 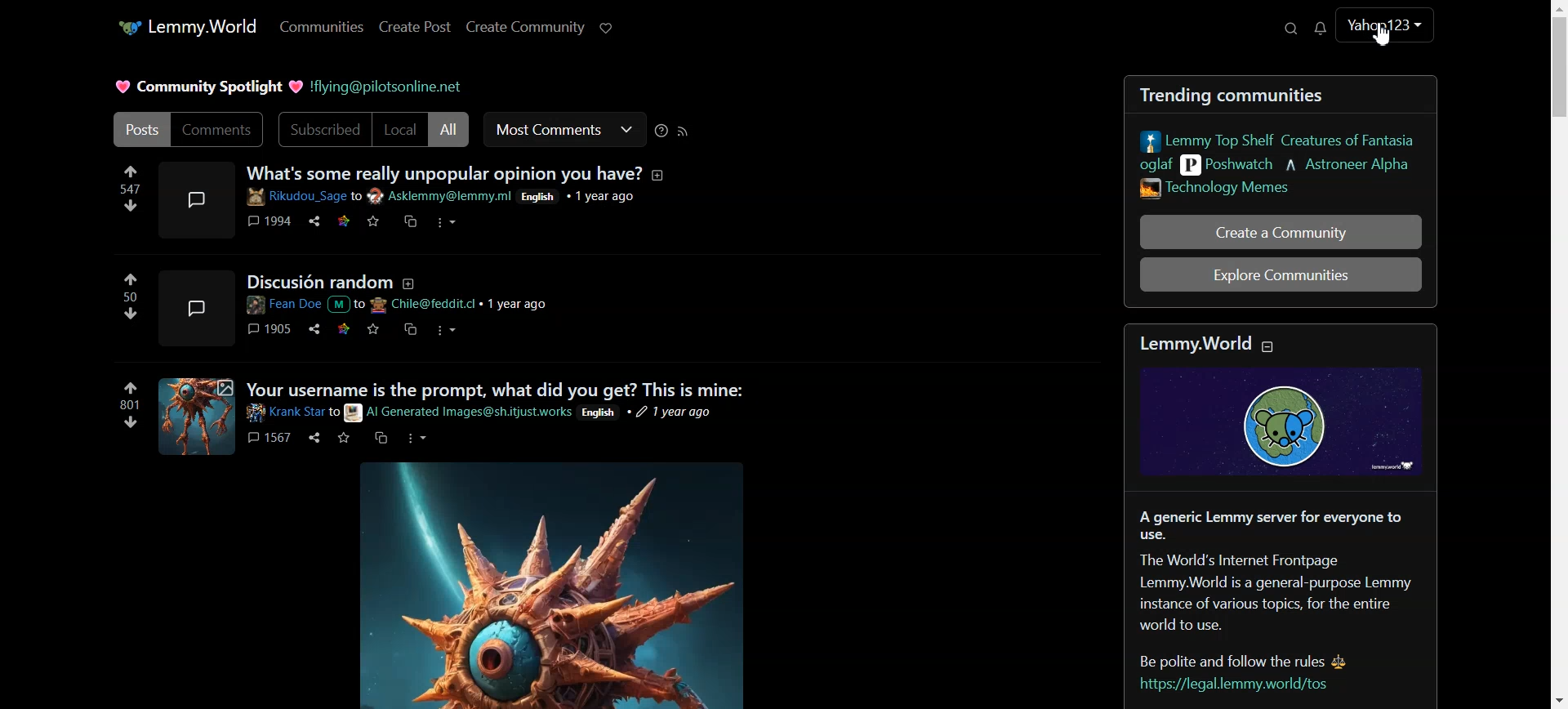 I want to click on Subscribed, so click(x=323, y=130).